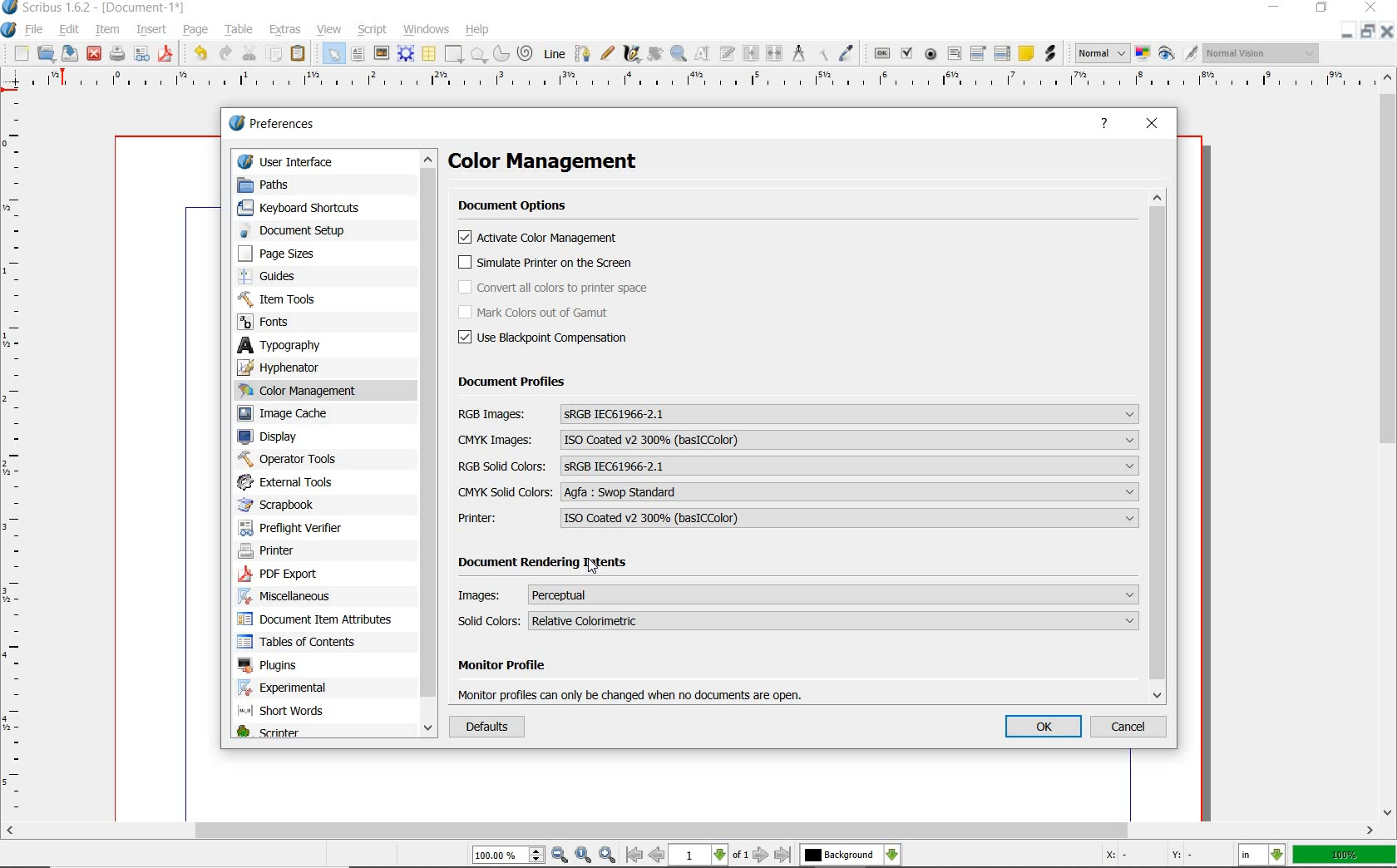 The image size is (1397, 868). What do you see at coordinates (284, 552) in the screenshot?
I see `printer` at bounding box center [284, 552].